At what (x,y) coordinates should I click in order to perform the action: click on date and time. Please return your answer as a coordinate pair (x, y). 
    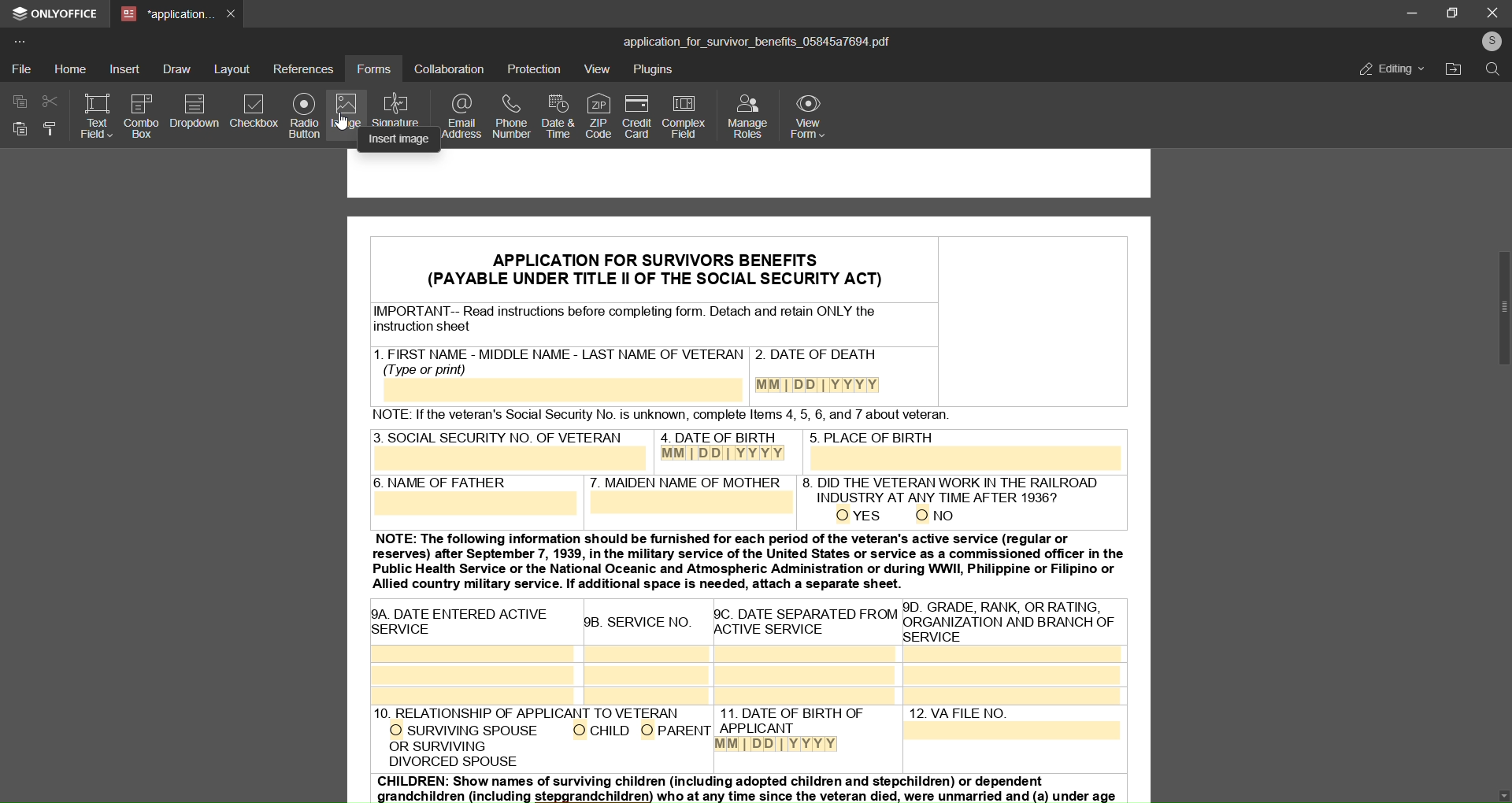
    Looking at the image, I should click on (556, 116).